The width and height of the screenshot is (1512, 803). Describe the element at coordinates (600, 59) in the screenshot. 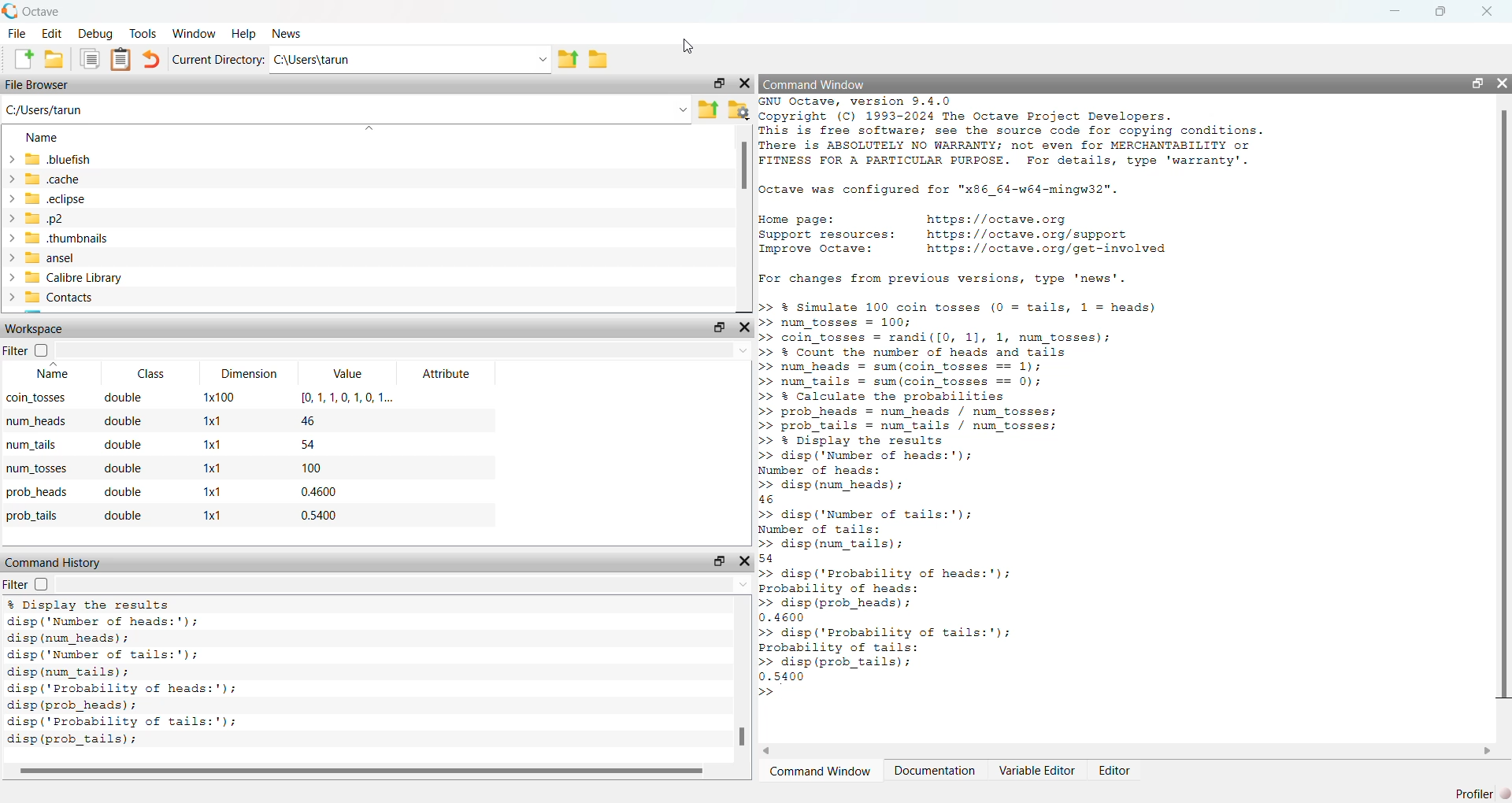

I see `Folder` at that location.